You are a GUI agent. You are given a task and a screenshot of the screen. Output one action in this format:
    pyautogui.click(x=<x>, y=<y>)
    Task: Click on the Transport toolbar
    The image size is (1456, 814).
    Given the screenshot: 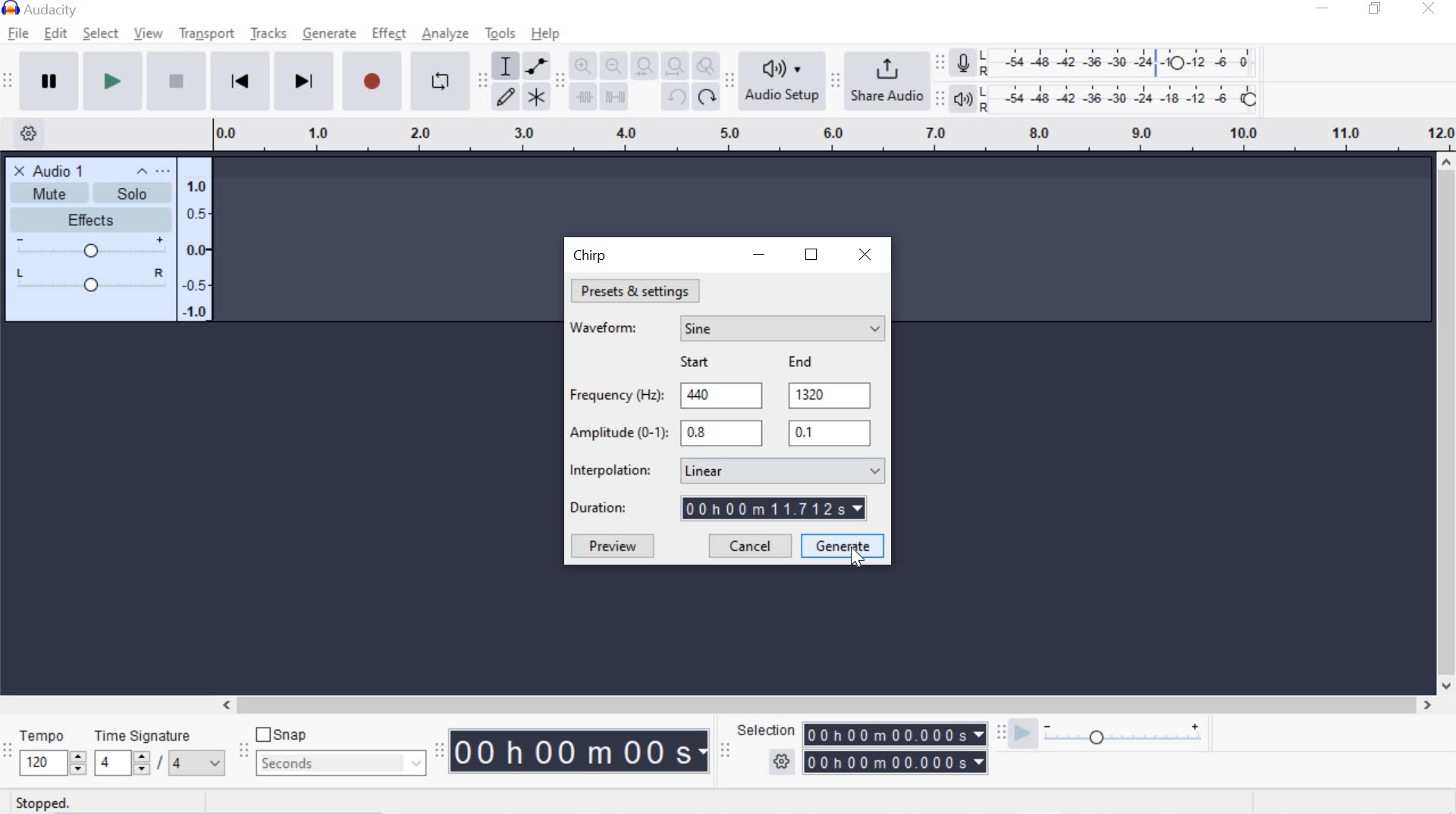 What is the action you would take?
    pyautogui.click(x=8, y=82)
    